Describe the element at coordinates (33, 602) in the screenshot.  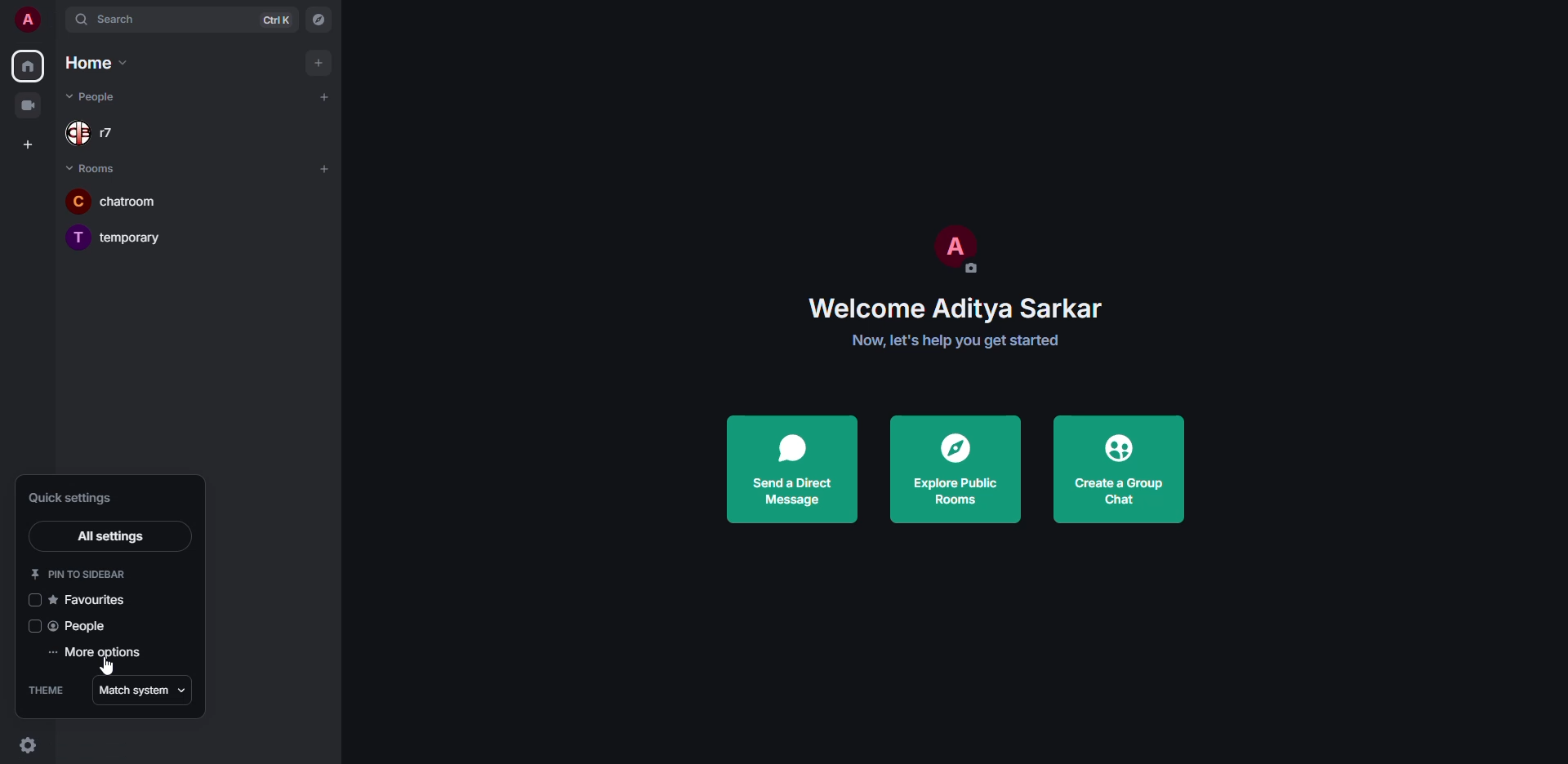
I see `click to enable` at that location.